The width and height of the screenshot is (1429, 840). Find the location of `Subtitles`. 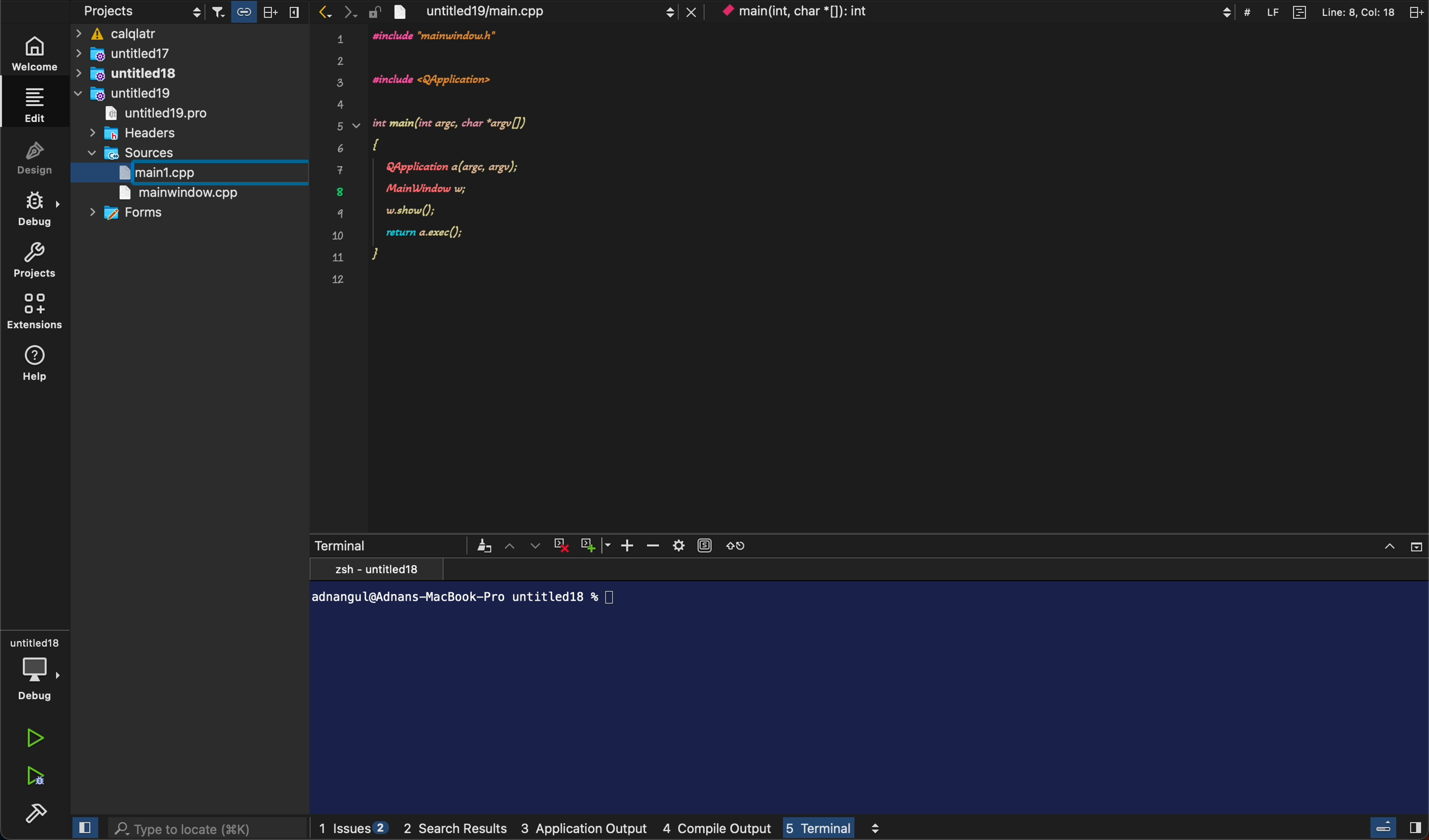

Subtitles is located at coordinates (705, 544).